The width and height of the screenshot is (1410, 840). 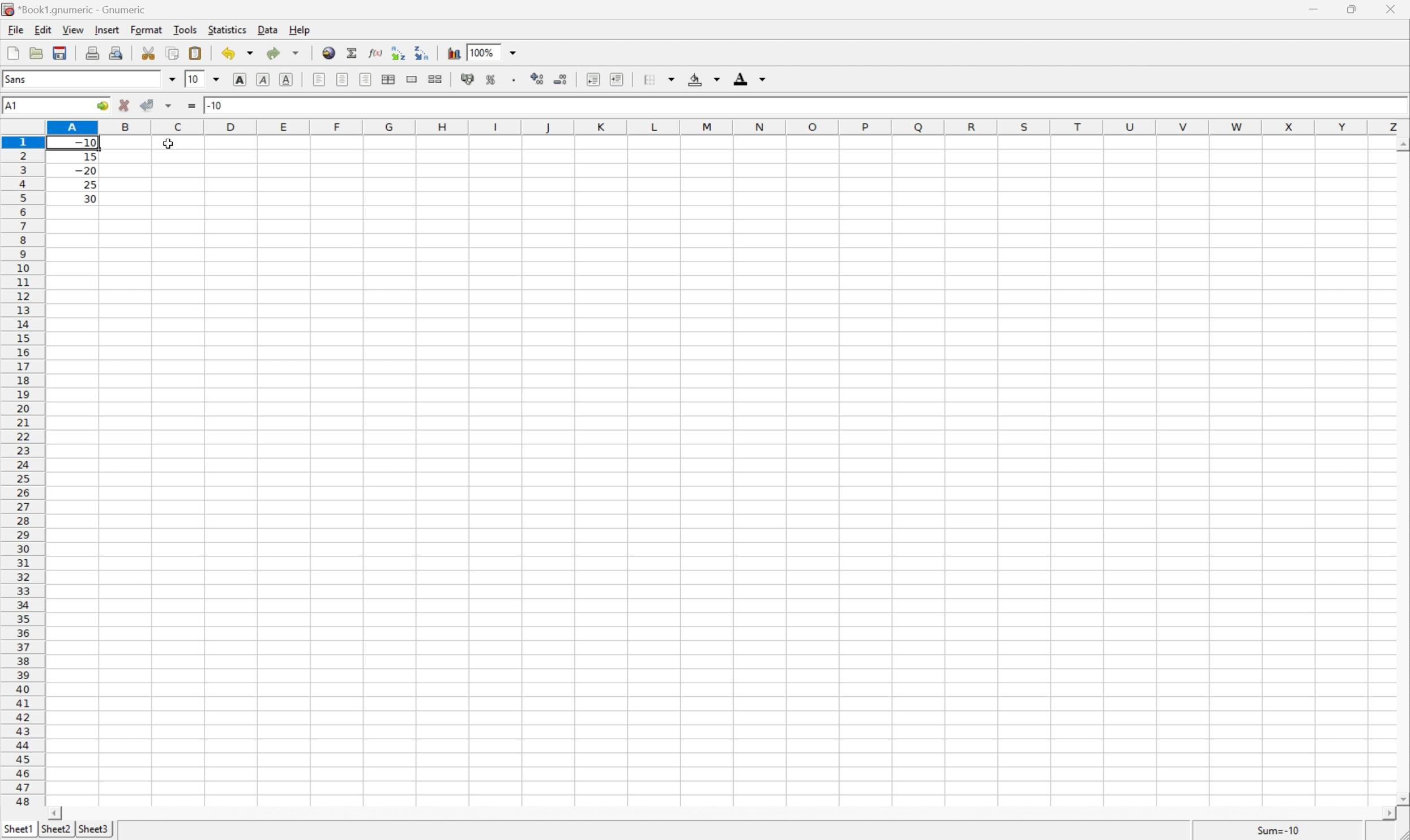 I want to click on center horizontally across the selection, so click(x=390, y=80).